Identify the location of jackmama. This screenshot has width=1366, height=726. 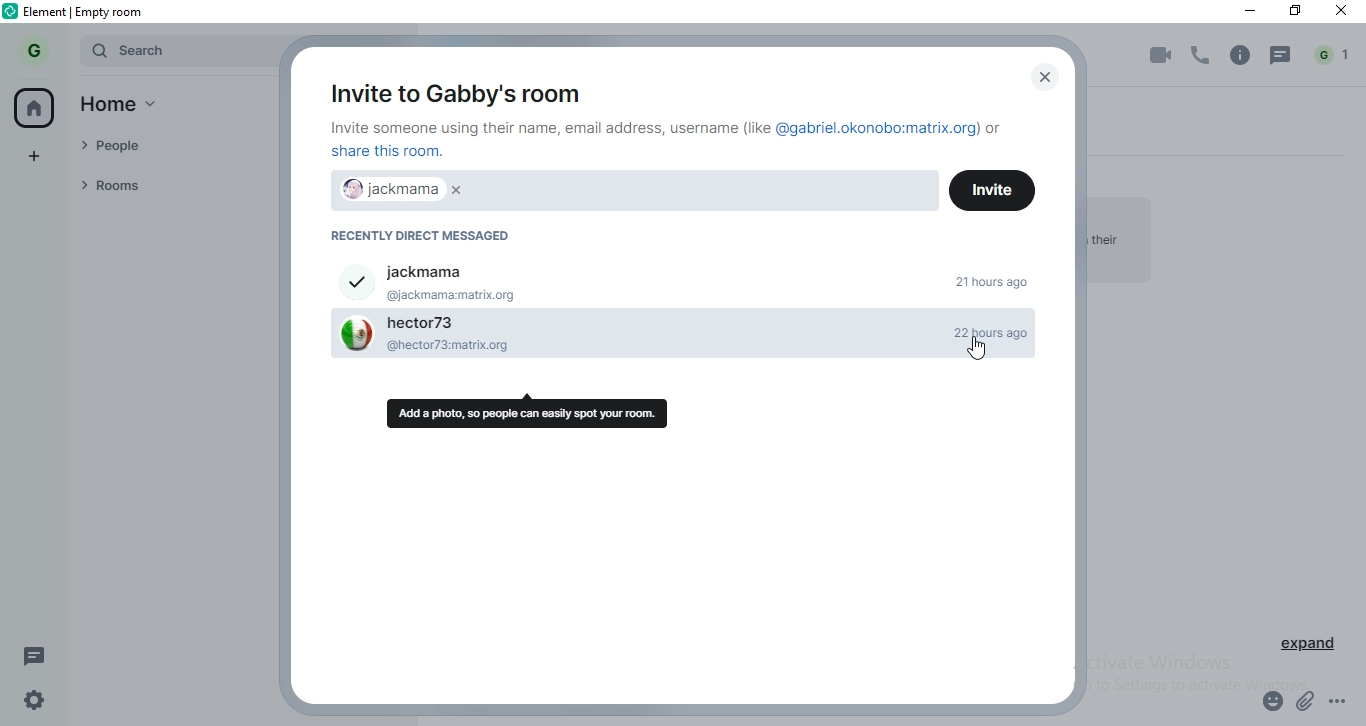
(682, 278).